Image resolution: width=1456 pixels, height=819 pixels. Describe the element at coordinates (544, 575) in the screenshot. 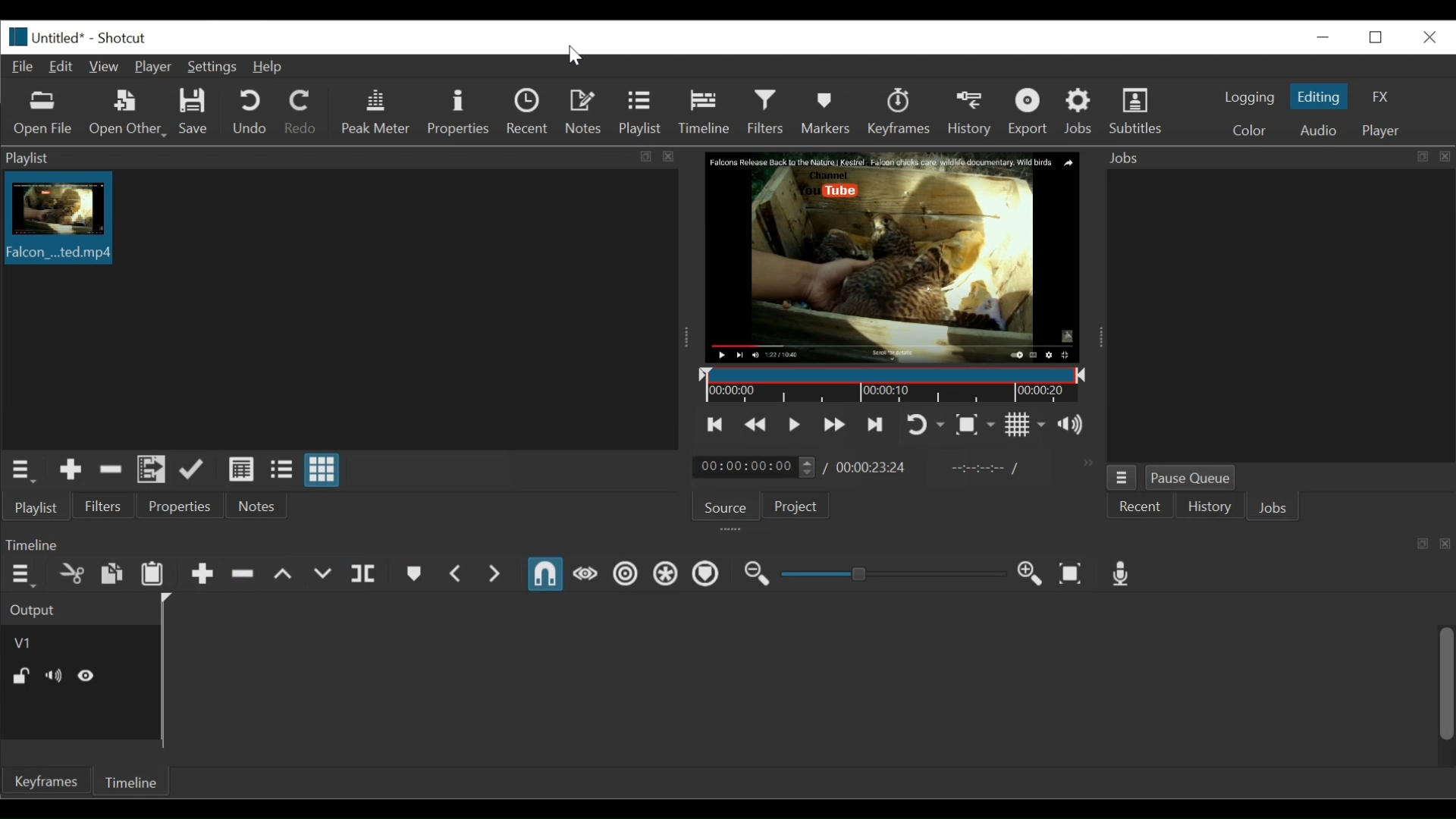

I see `Snap` at that location.